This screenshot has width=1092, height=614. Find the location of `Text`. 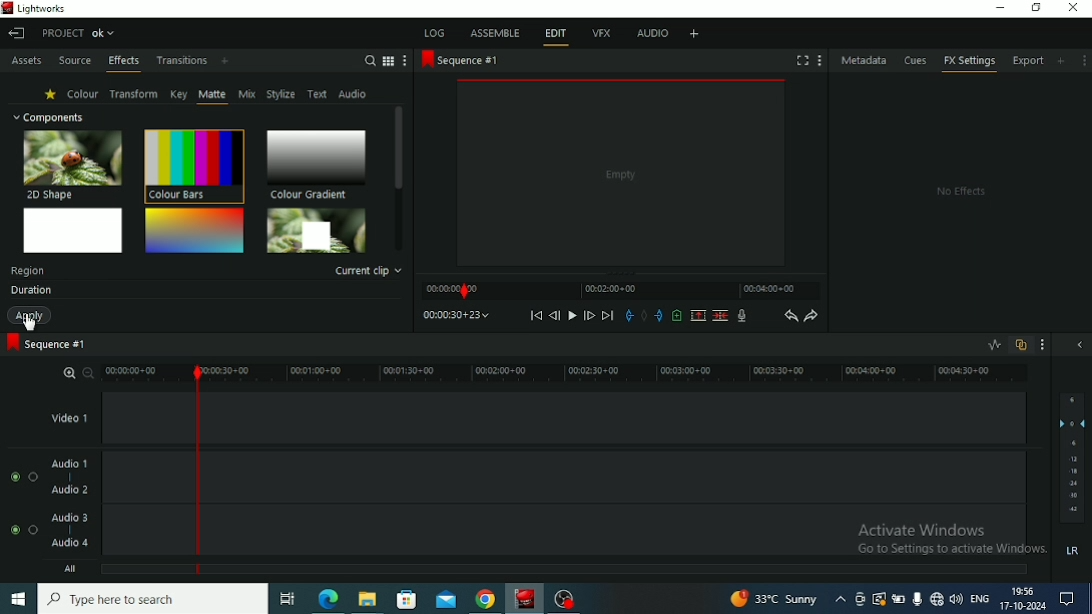

Text is located at coordinates (28, 271).